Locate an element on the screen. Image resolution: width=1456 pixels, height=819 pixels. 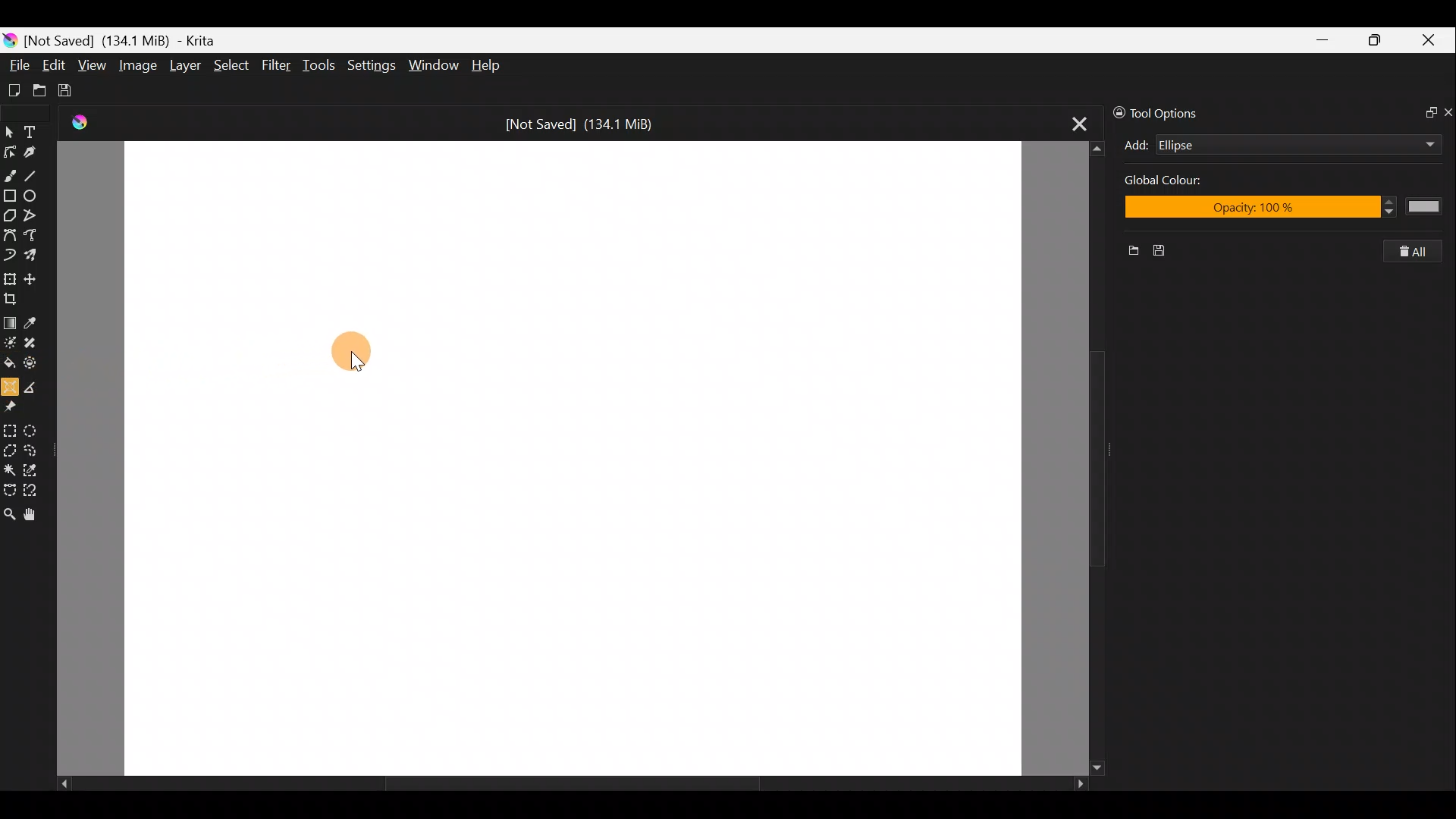
Open existing document is located at coordinates (37, 89).